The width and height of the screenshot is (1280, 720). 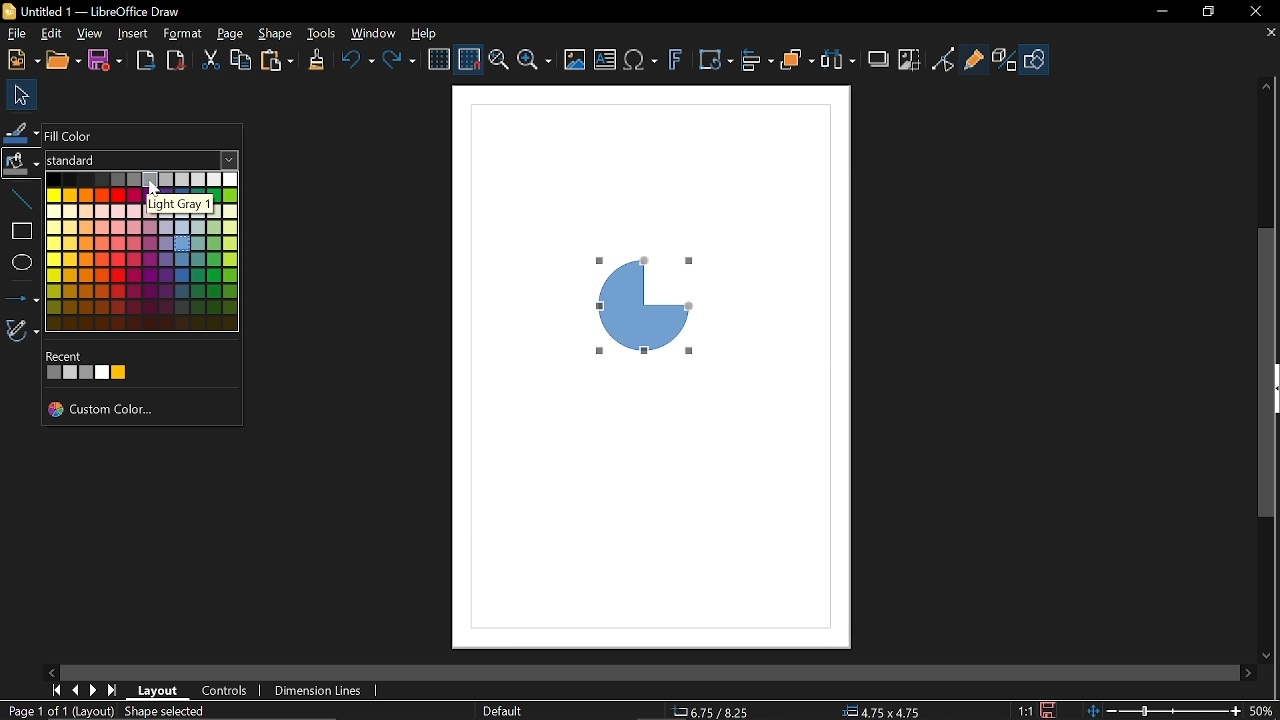 I want to click on 50% (Current Zoom), so click(x=1264, y=708).